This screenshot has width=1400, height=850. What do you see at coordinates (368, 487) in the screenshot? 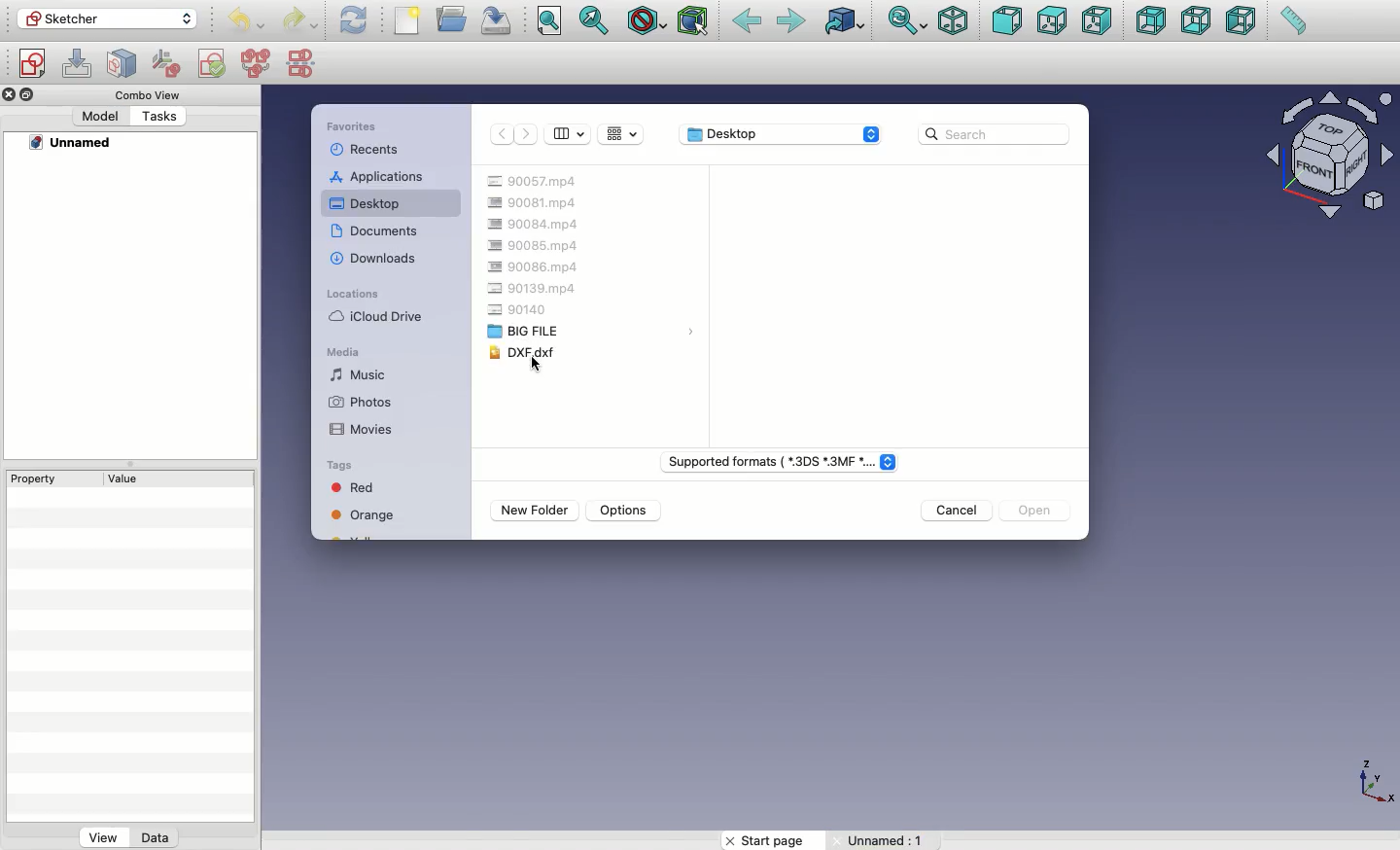
I see `Red` at bounding box center [368, 487].